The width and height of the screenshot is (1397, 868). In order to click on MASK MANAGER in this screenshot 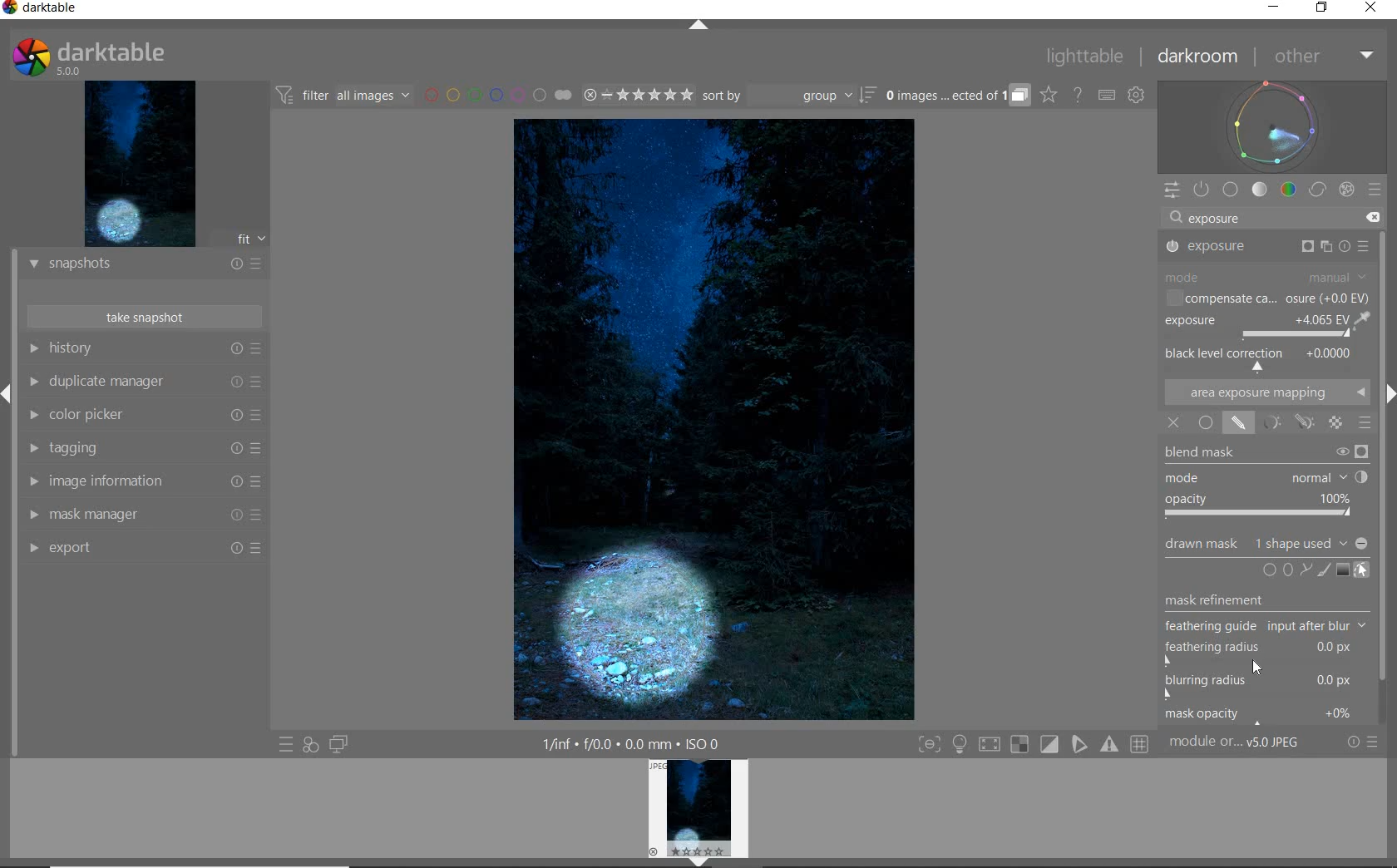, I will do `click(142, 515)`.